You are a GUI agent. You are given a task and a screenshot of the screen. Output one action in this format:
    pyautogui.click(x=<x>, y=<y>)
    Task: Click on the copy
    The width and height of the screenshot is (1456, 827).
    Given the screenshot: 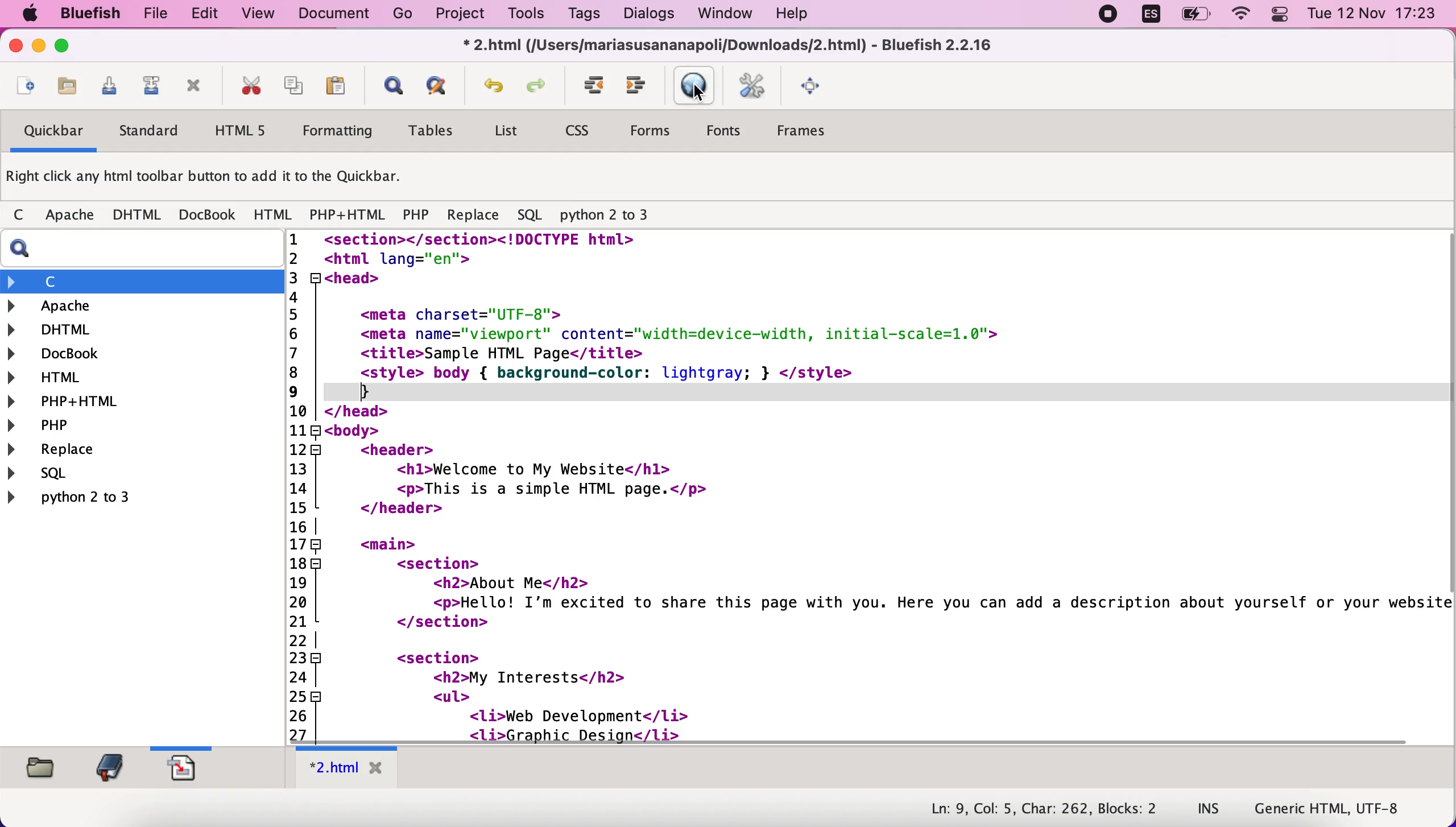 What is the action you would take?
    pyautogui.click(x=297, y=86)
    